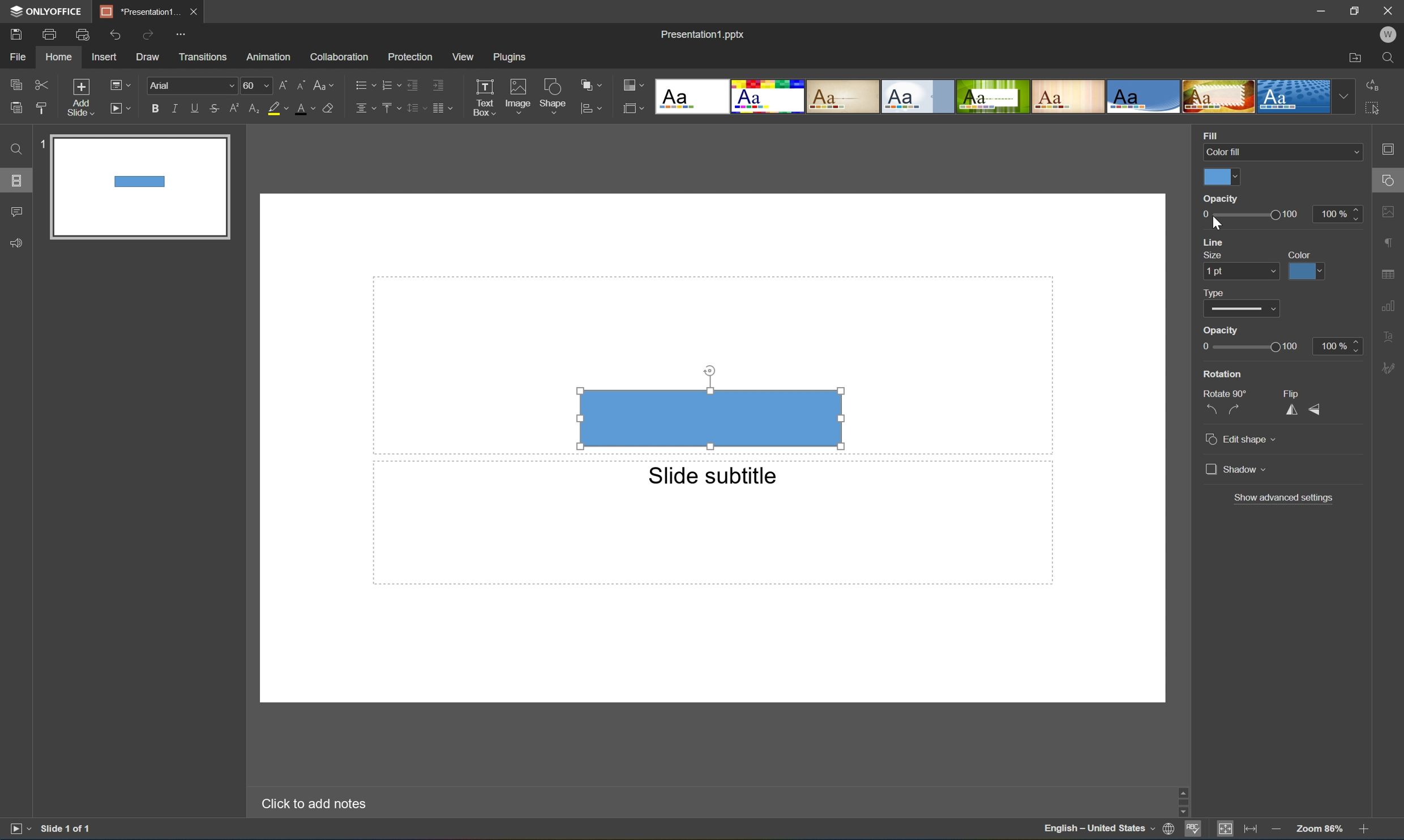 The height and width of the screenshot is (840, 1404). Describe the element at coordinates (702, 37) in the screenshot. I see `Presentation1.pptx` at that location.